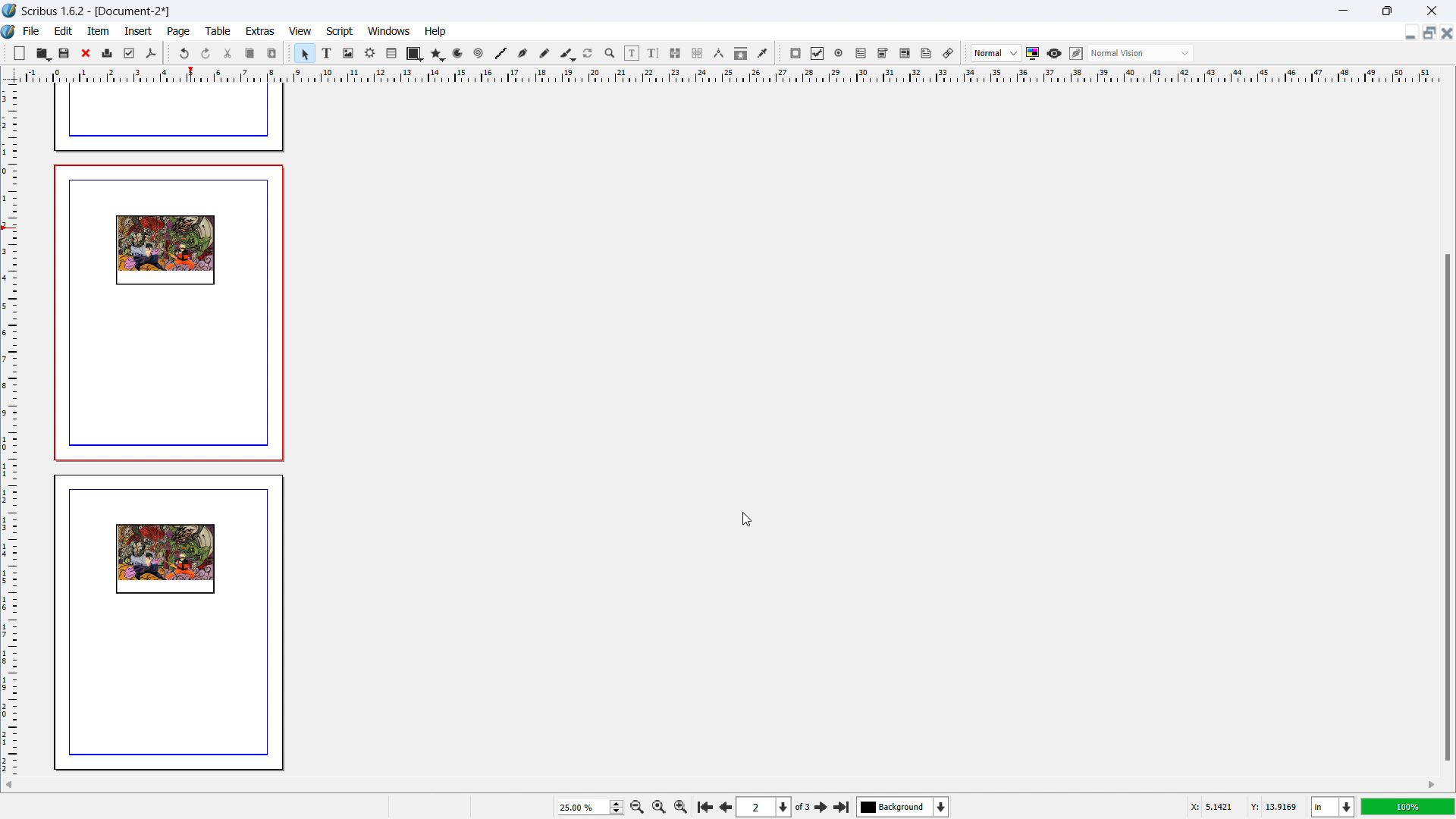 The image size is (1456, 819). Describe the element at coordinates (1341, 11) in the screenshot. I see `minimize window` at that location.